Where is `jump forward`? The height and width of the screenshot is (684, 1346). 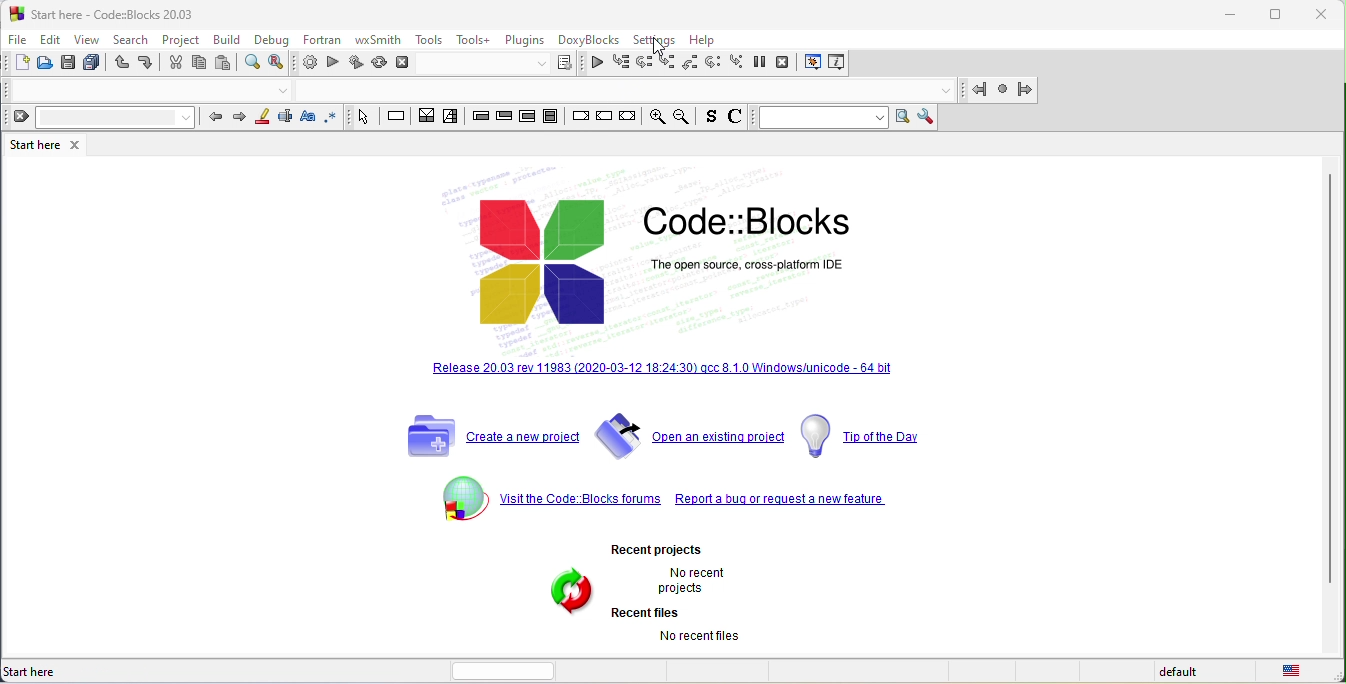
jump forward is located at coordinates (1029, 90).